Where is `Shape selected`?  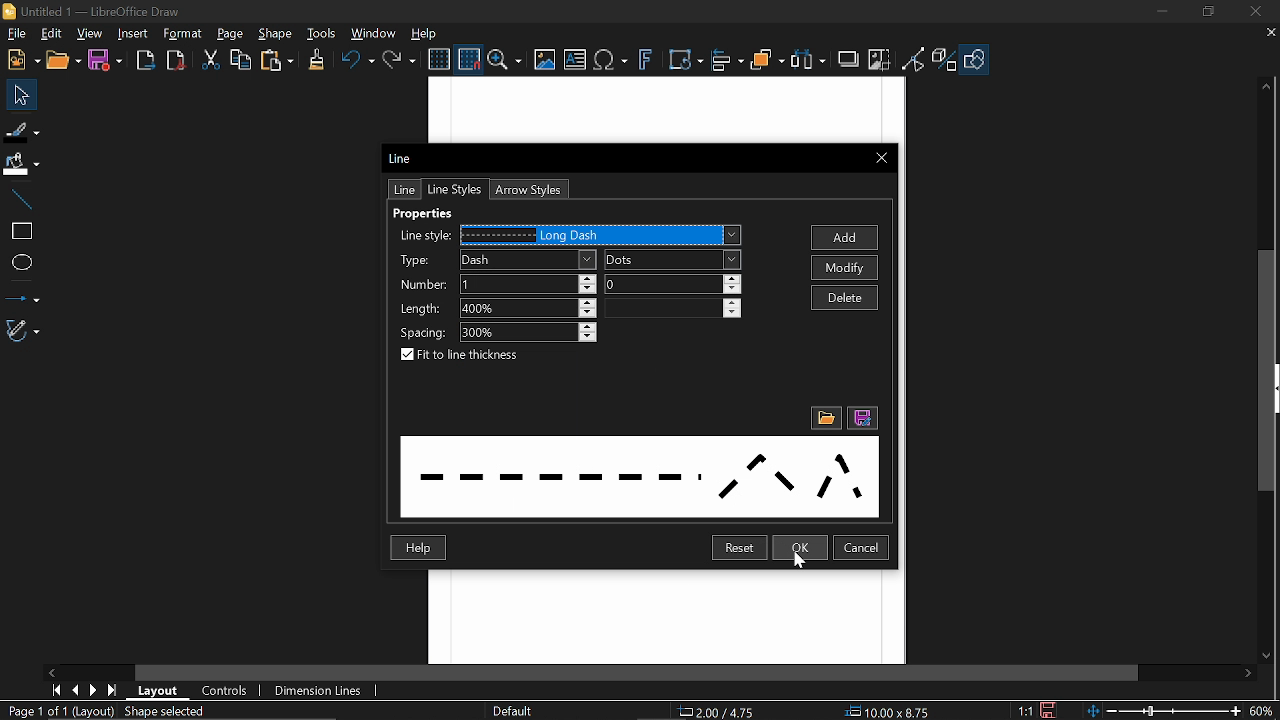 Shape selected is located at coordinates (182, 712).